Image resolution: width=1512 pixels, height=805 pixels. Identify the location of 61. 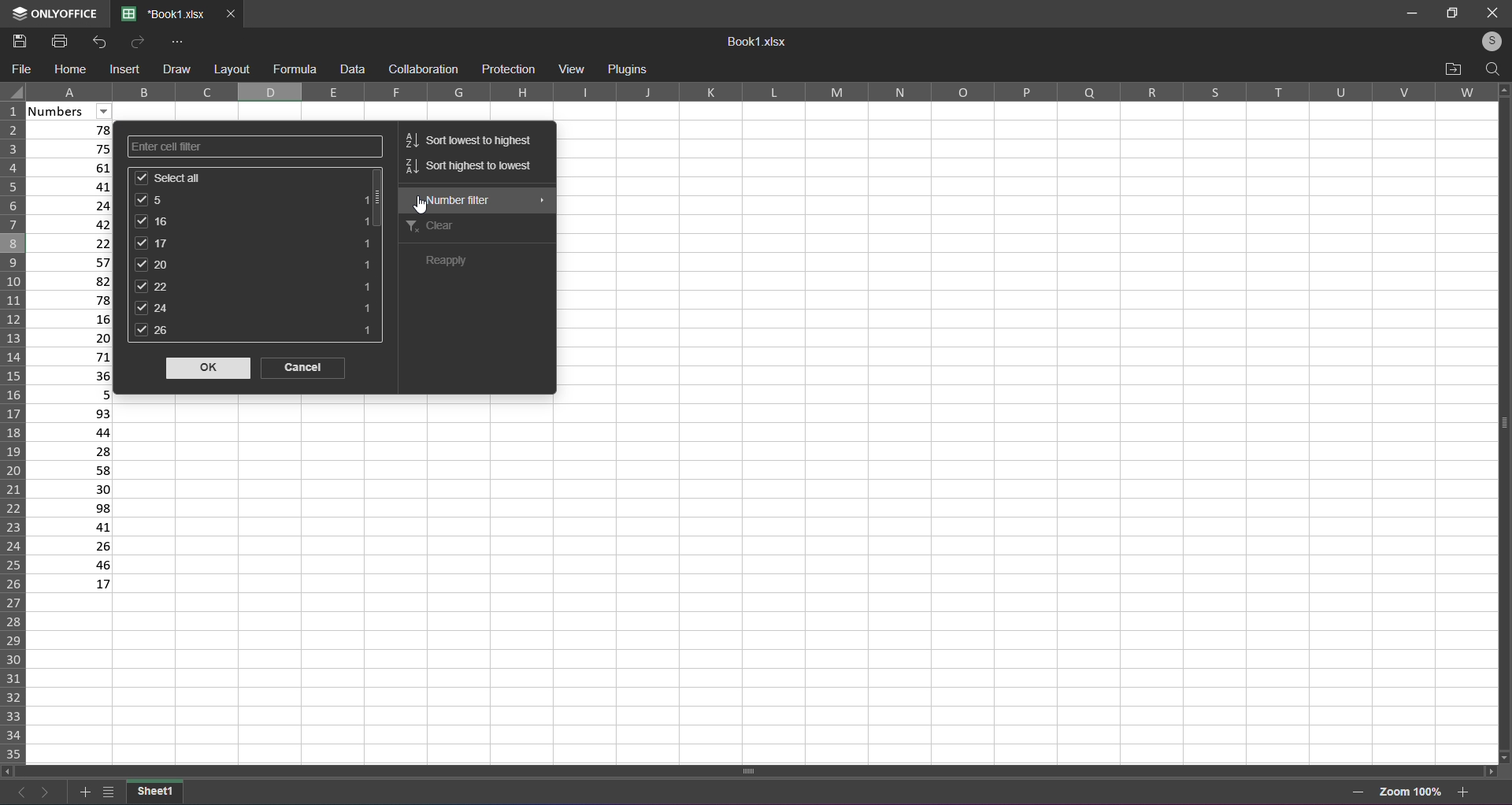
(74, 166).